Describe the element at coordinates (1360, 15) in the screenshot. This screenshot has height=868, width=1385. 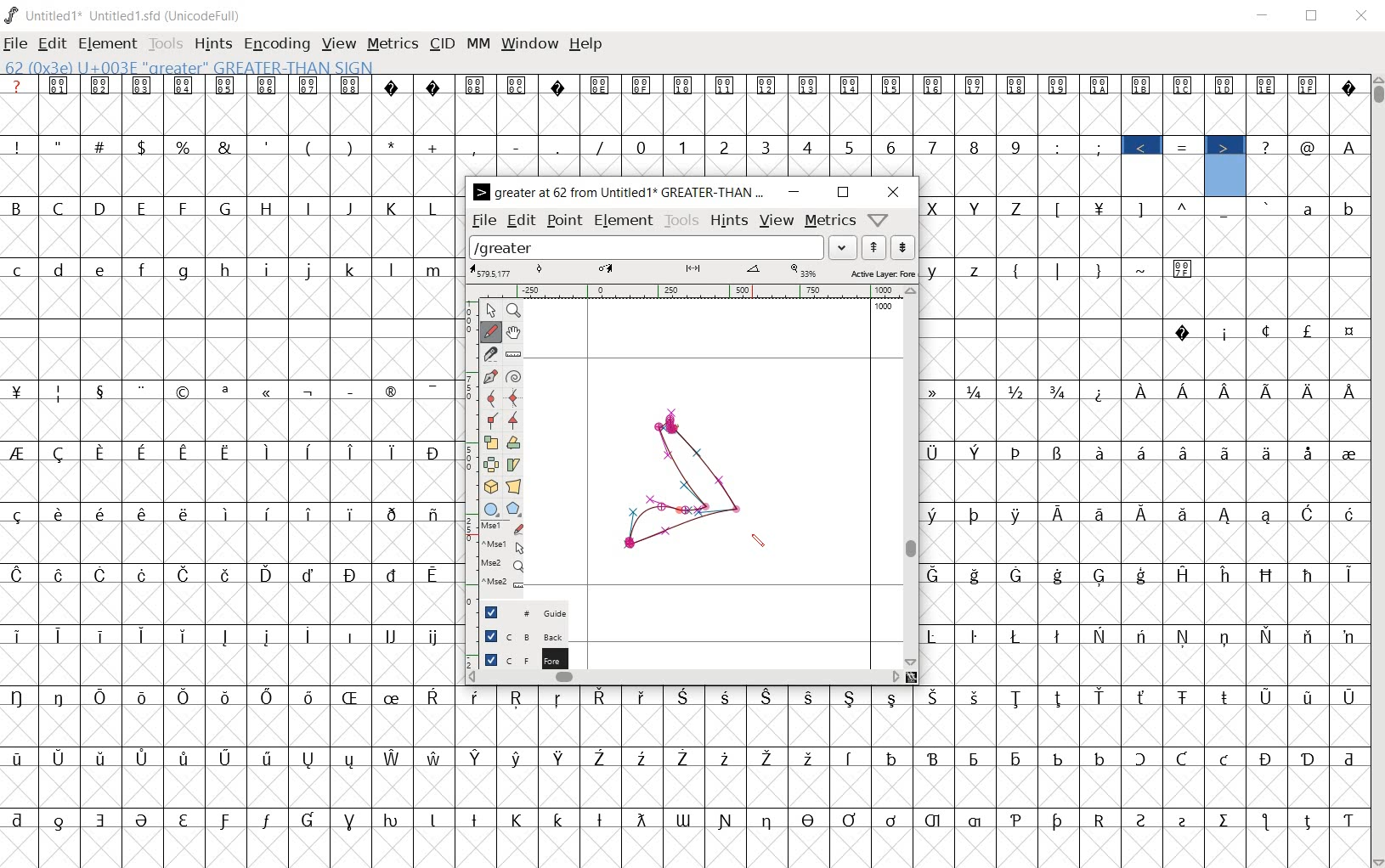
I see `close` at that location.